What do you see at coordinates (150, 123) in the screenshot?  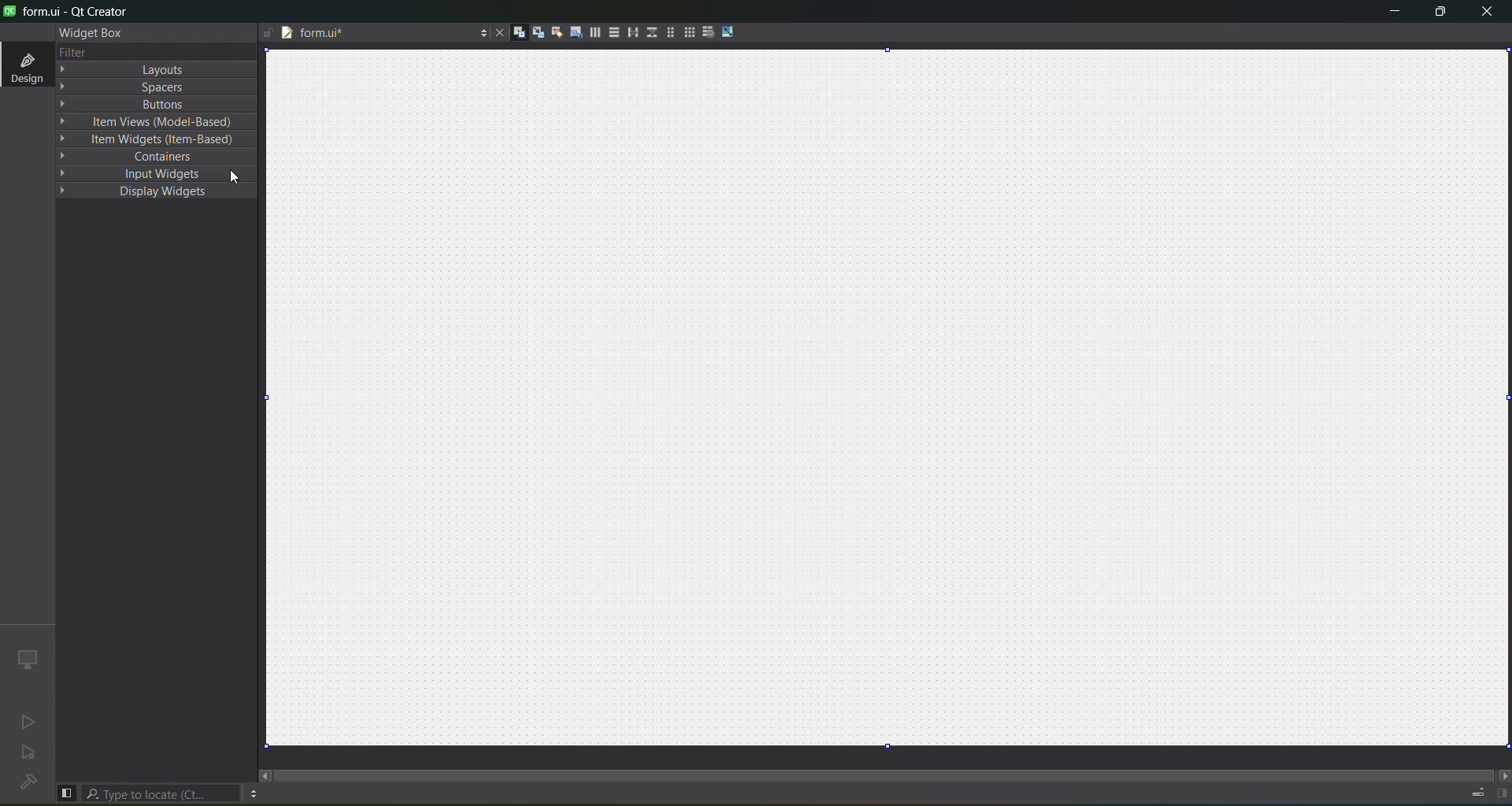 I see `item view` at bounding box center [150, 123].